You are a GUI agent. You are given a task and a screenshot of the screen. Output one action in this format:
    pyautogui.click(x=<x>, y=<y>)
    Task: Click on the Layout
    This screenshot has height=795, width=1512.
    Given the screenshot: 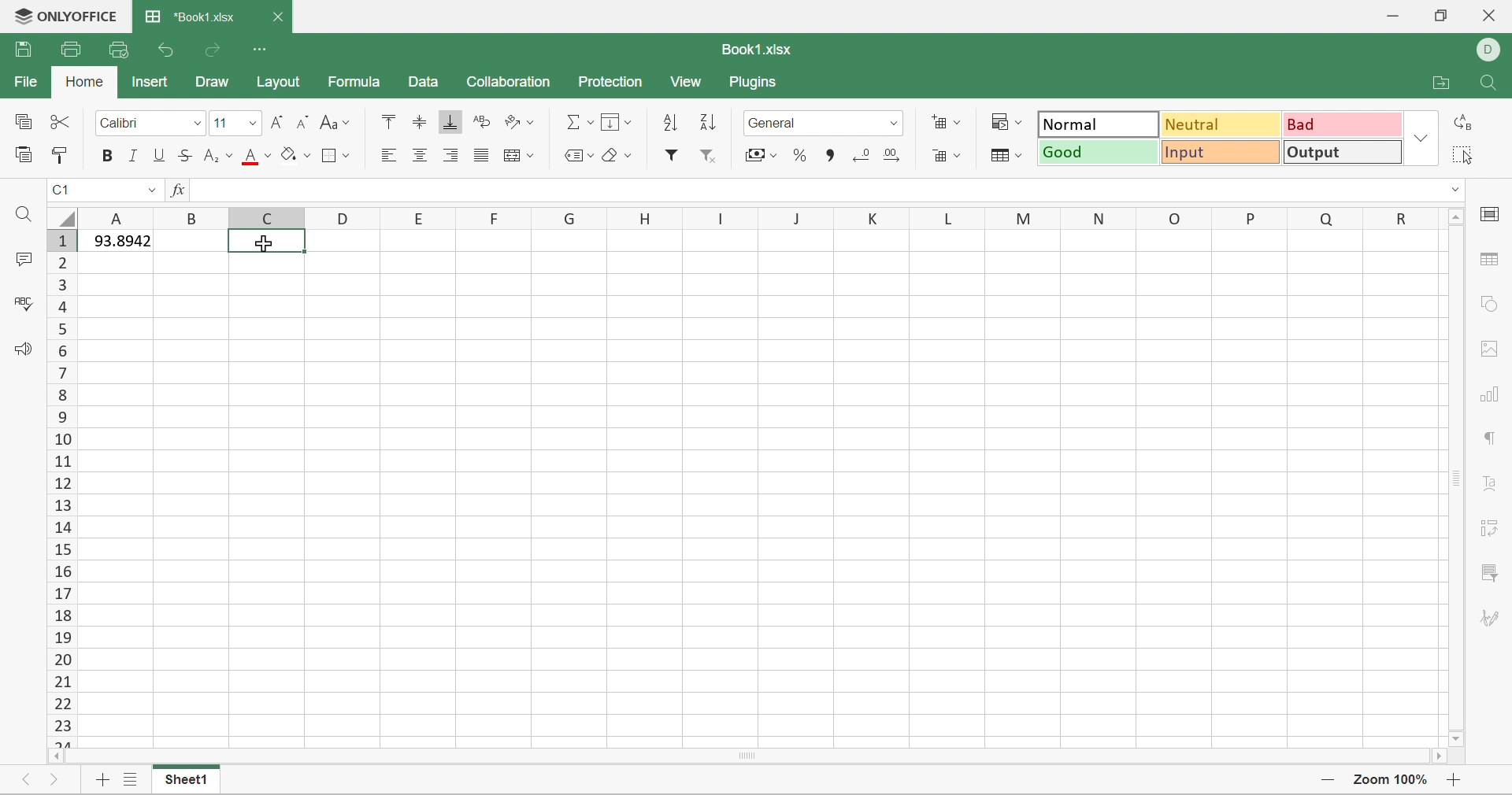 What is the action you would take?
    pyautogui.click(x=282, y=86)
    